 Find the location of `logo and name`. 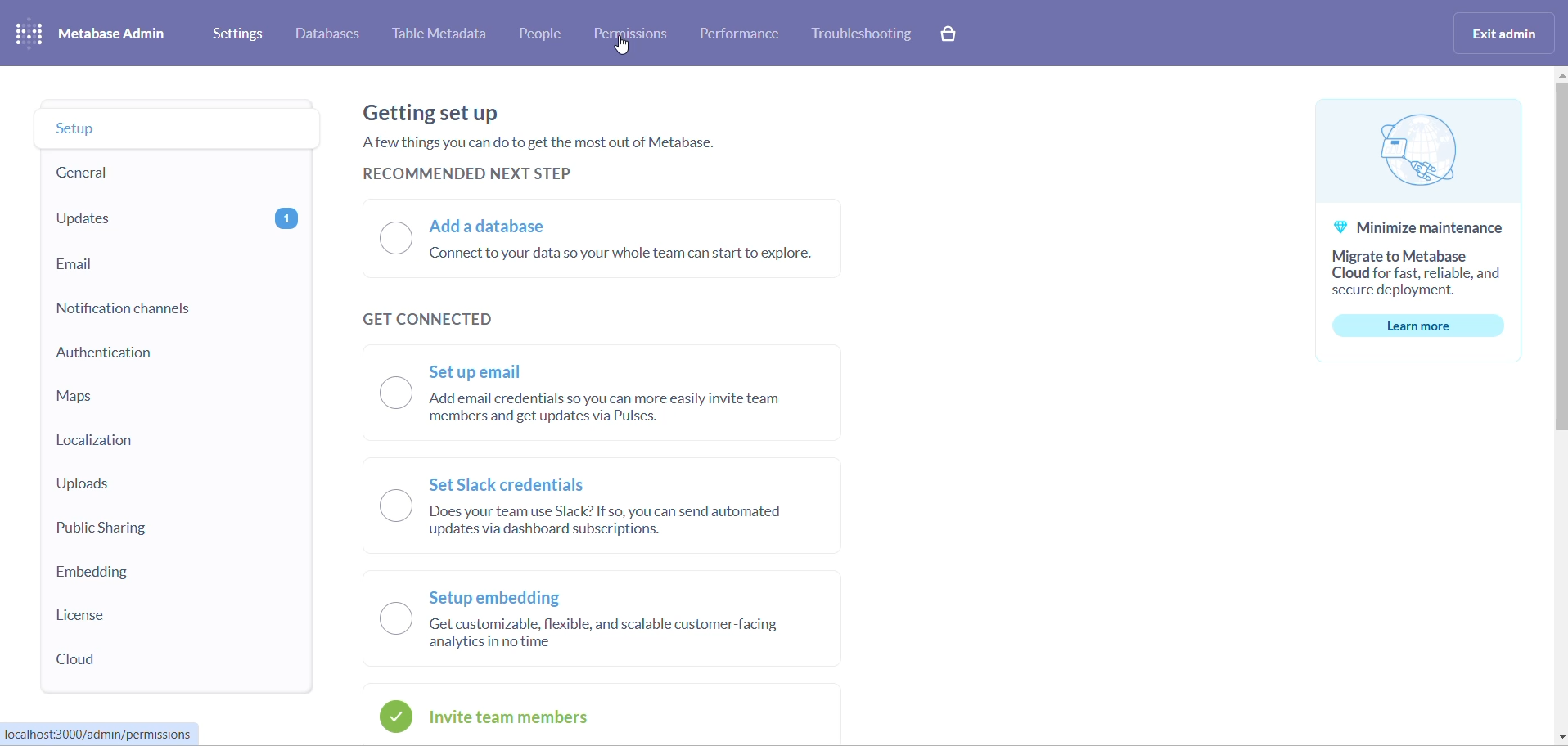

logo and name is located at coordinates (105, 34).